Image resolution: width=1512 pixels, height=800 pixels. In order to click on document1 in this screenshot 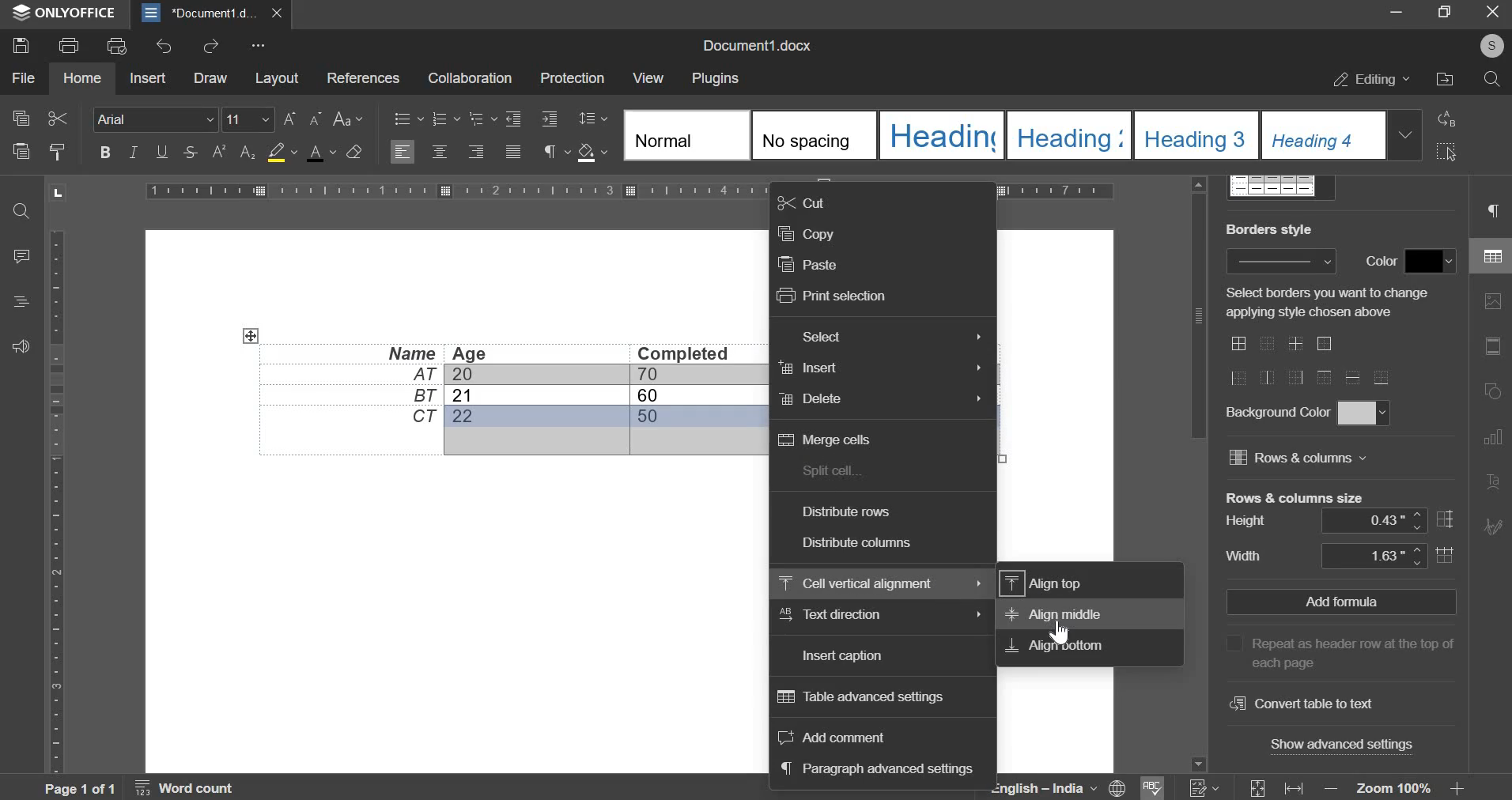, I will do `click(212, 15)`.